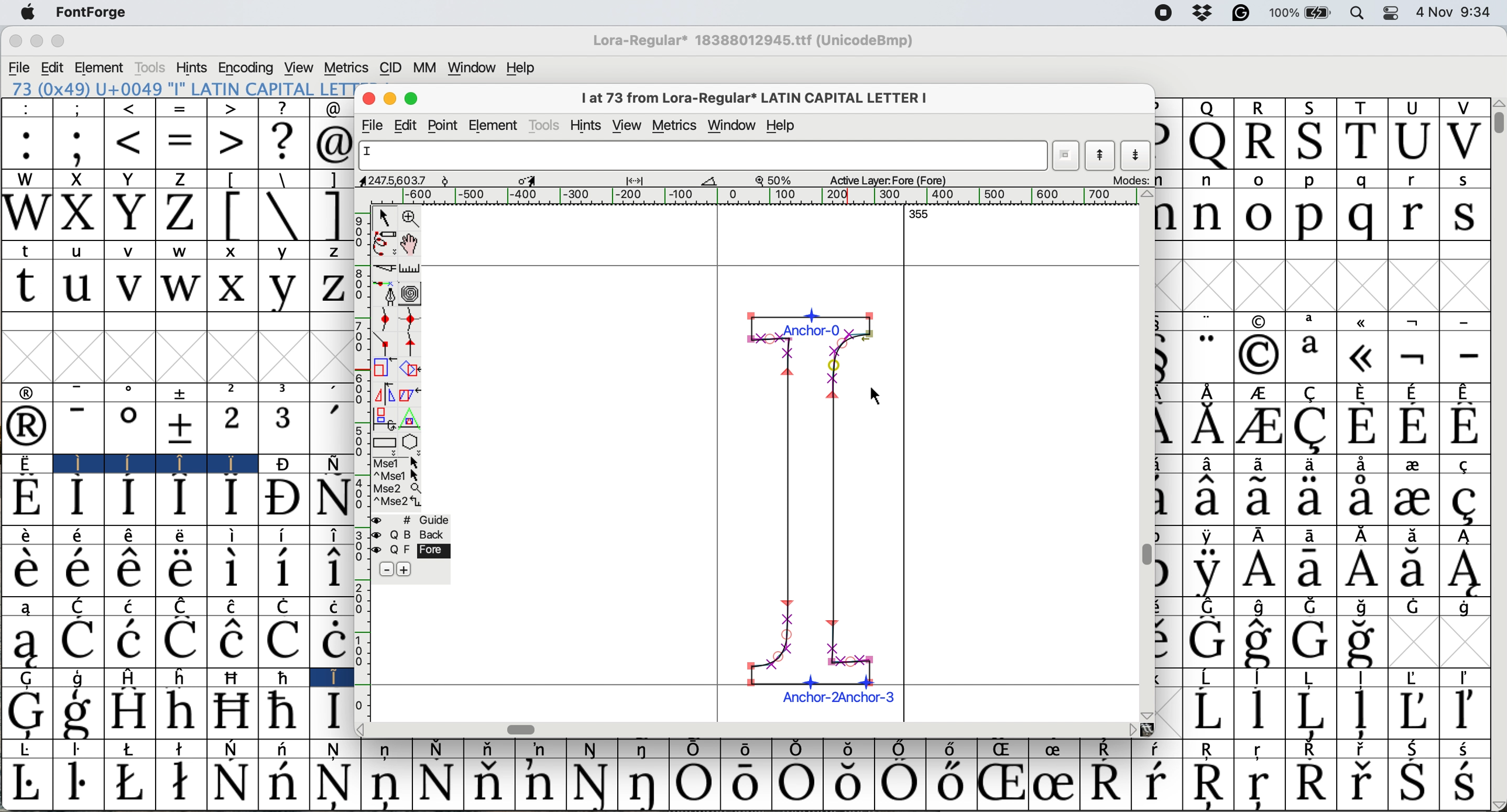 This screenshot has height=812, width=1507. Describe the element at coordinates (234, 391) in the screenshot. I see `2` at that location.